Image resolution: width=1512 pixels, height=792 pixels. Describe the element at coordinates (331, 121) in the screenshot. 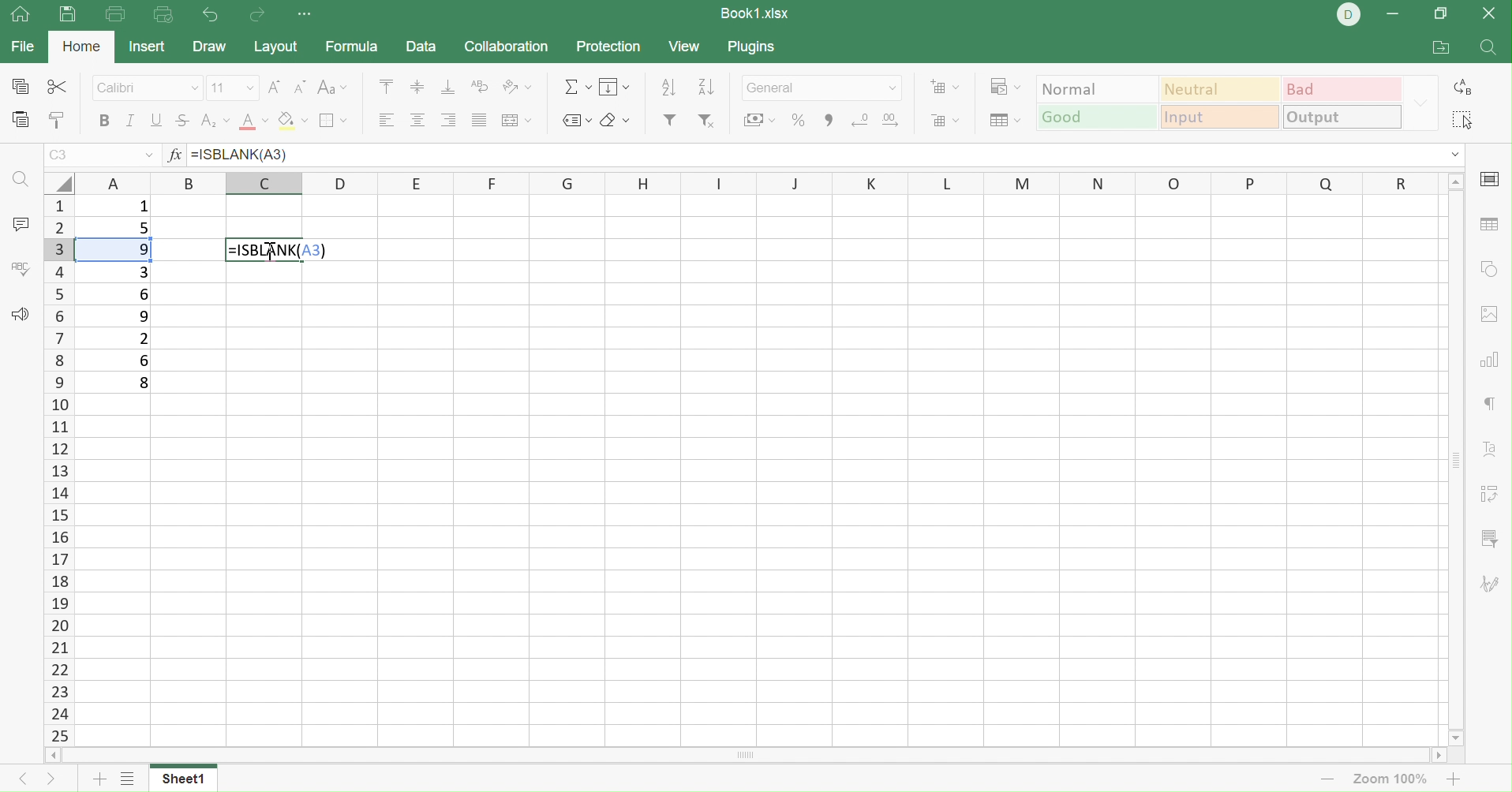

I see `Borders` at that location.